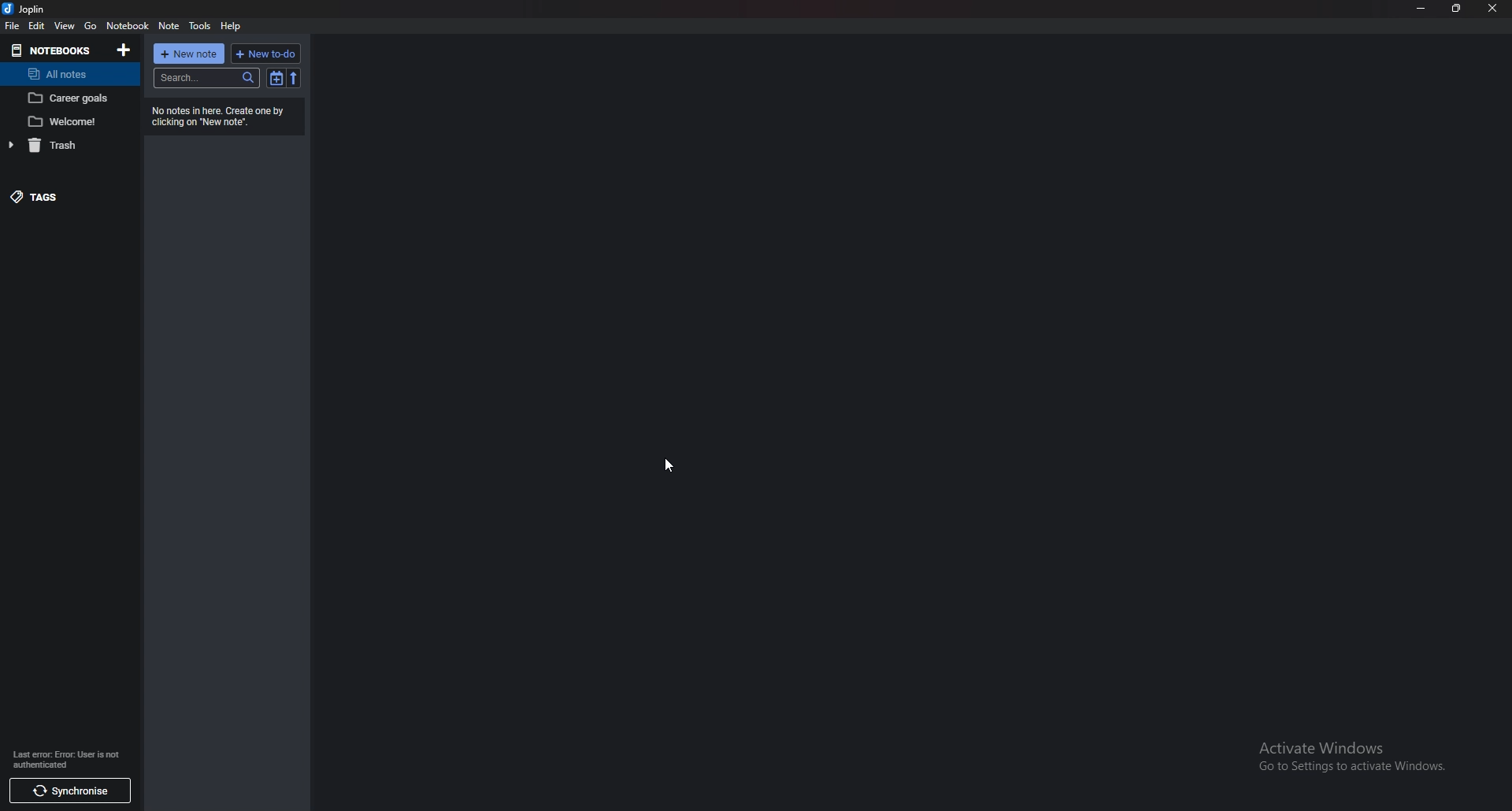 This screenshot has width=1512, height=811. I want to click on sync, so click(69, 793).